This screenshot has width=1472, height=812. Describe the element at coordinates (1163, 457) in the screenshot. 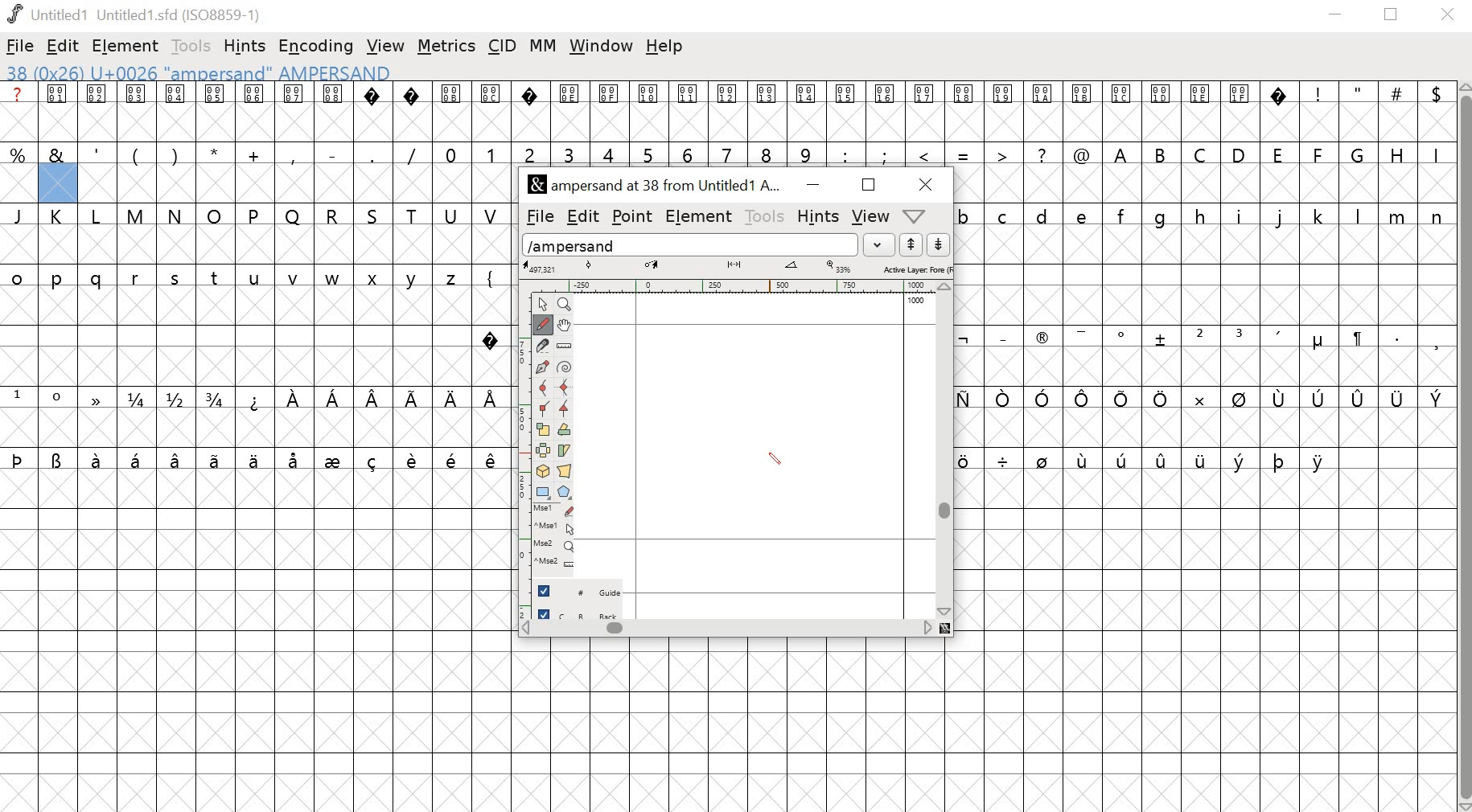

I see `symbol` at that location.